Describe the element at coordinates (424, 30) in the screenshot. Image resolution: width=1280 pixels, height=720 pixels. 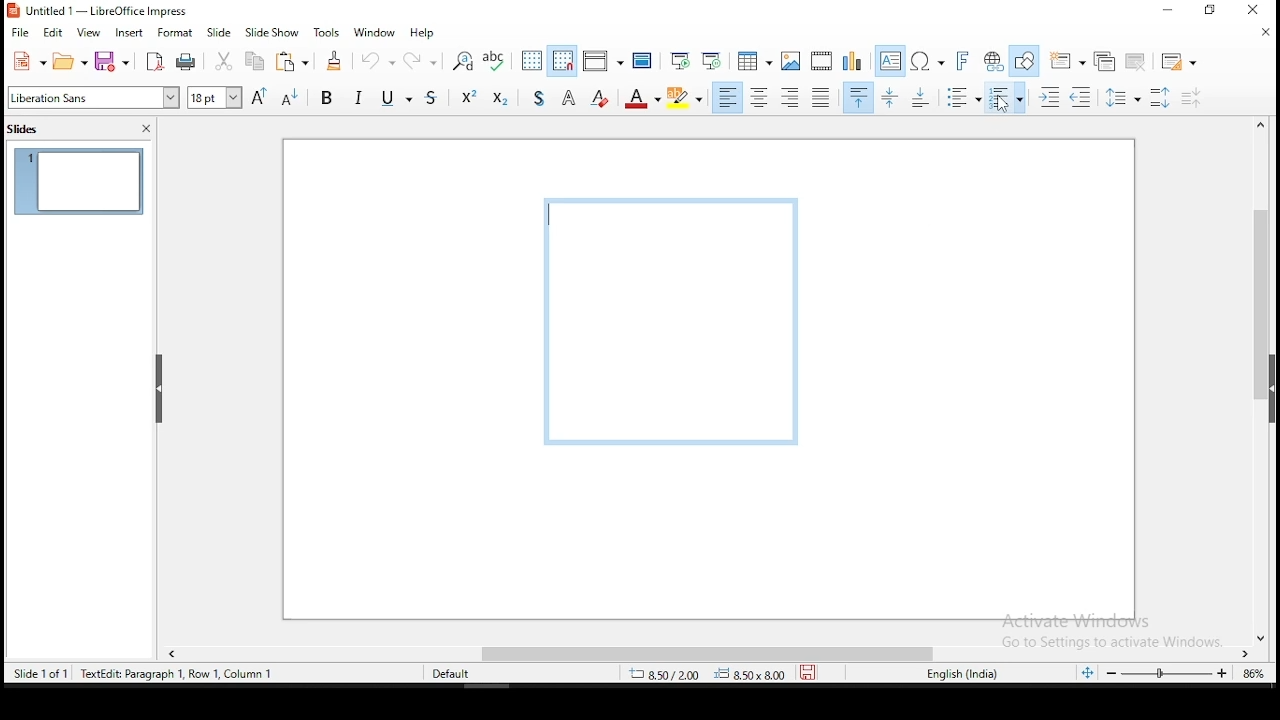
I see `help` at that location.